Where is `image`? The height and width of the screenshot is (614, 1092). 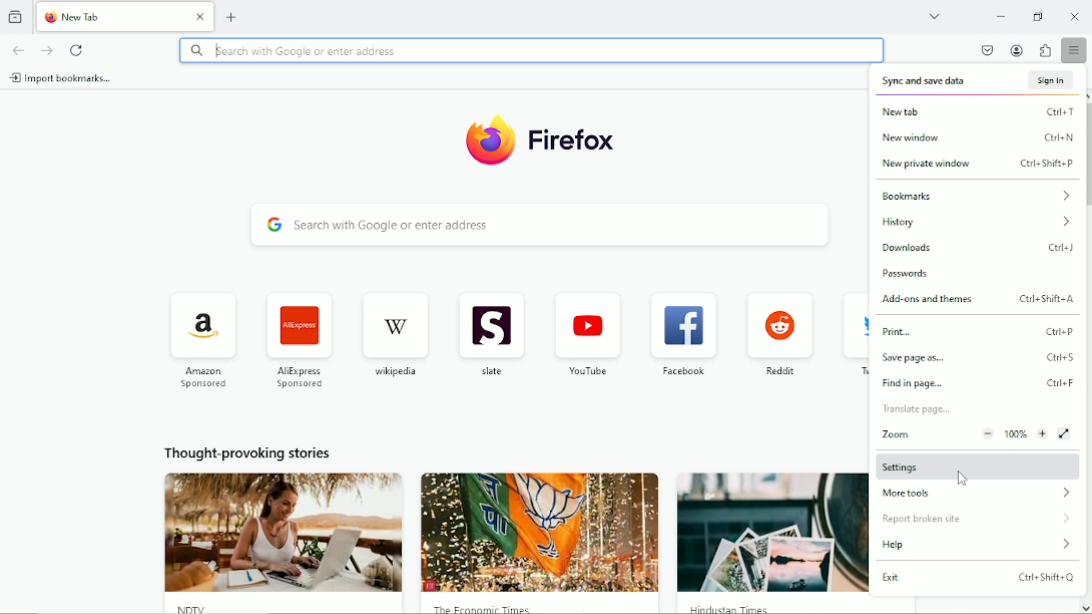
image is located at coordinates (776, 530).